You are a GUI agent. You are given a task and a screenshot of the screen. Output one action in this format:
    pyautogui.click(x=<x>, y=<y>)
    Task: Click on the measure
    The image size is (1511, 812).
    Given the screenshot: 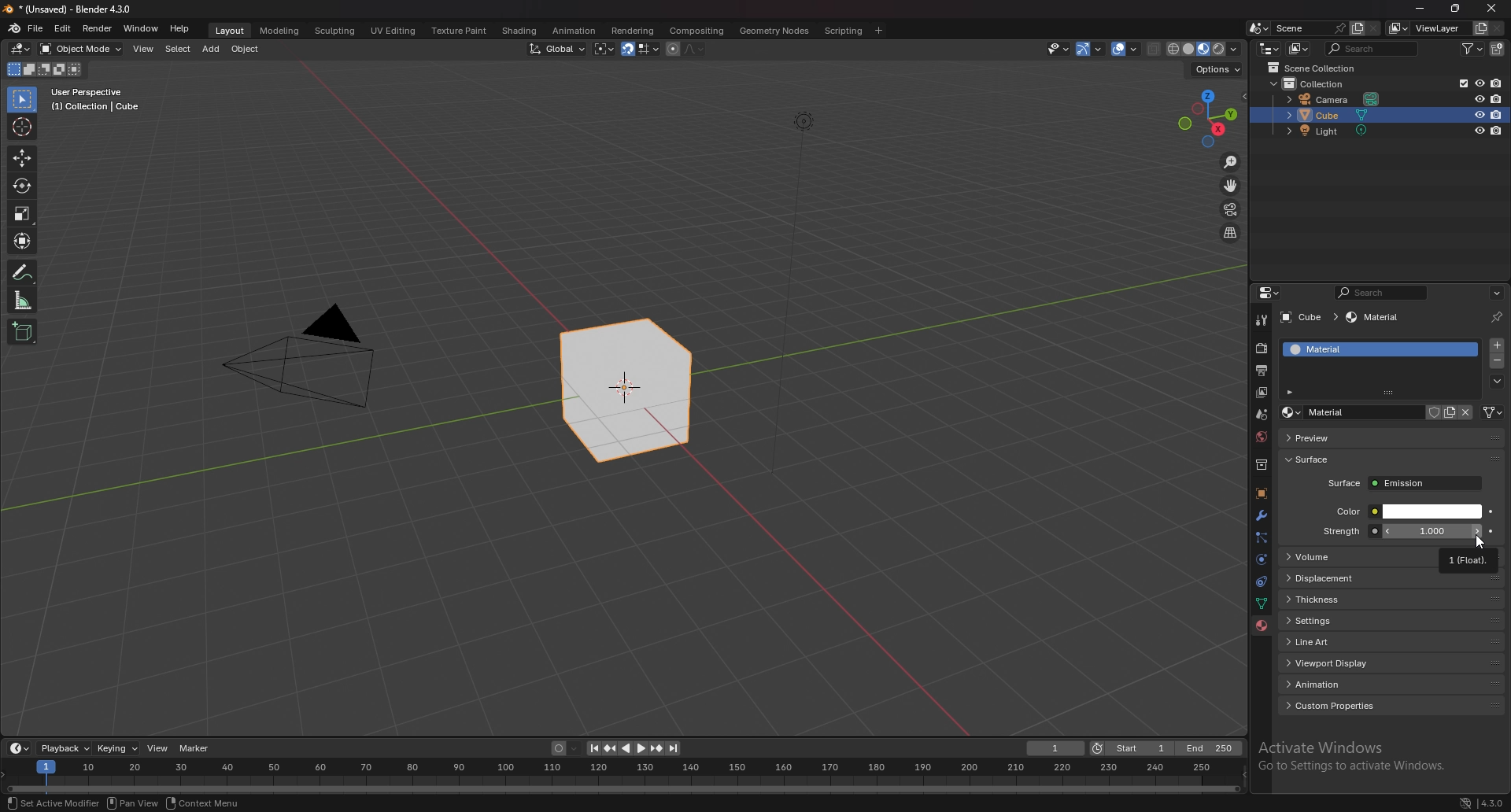 What is the action you would take?
    pyautogui.click(x=23, y=300)
    